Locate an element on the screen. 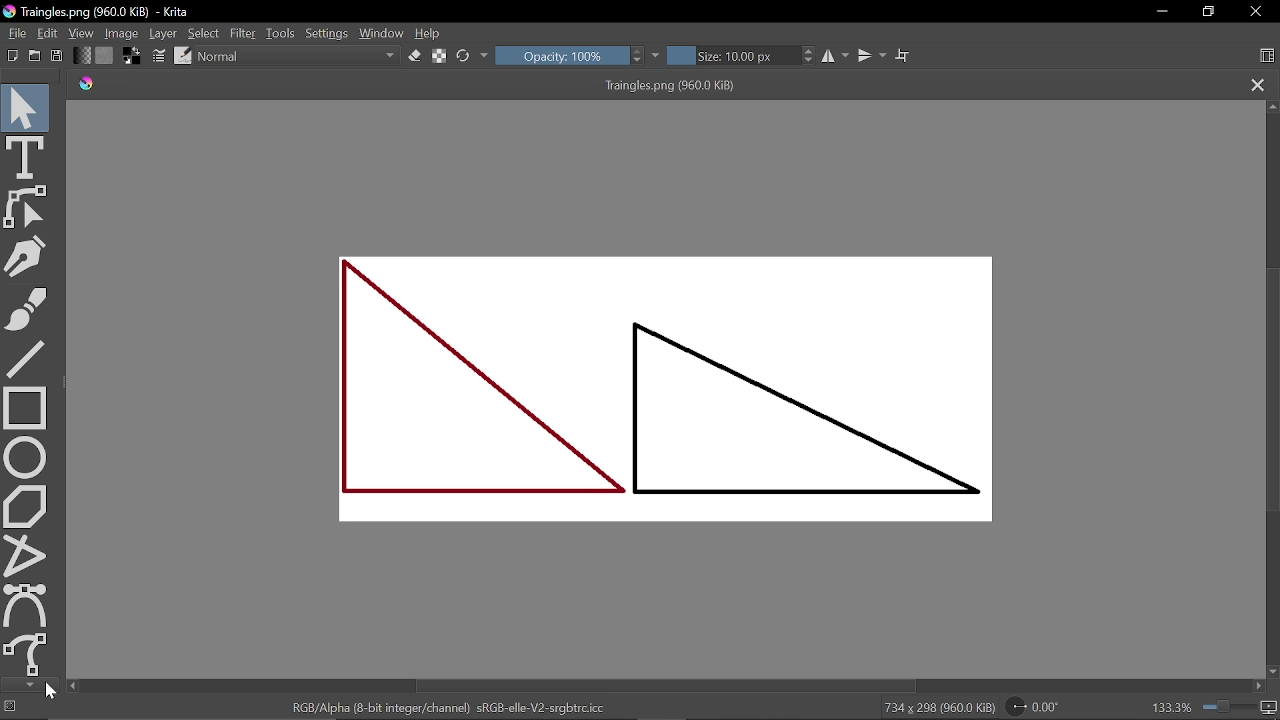 Image resolution: width=1280 pixels, height=720 pixels. Eraser is located at coordinates (415, 57).